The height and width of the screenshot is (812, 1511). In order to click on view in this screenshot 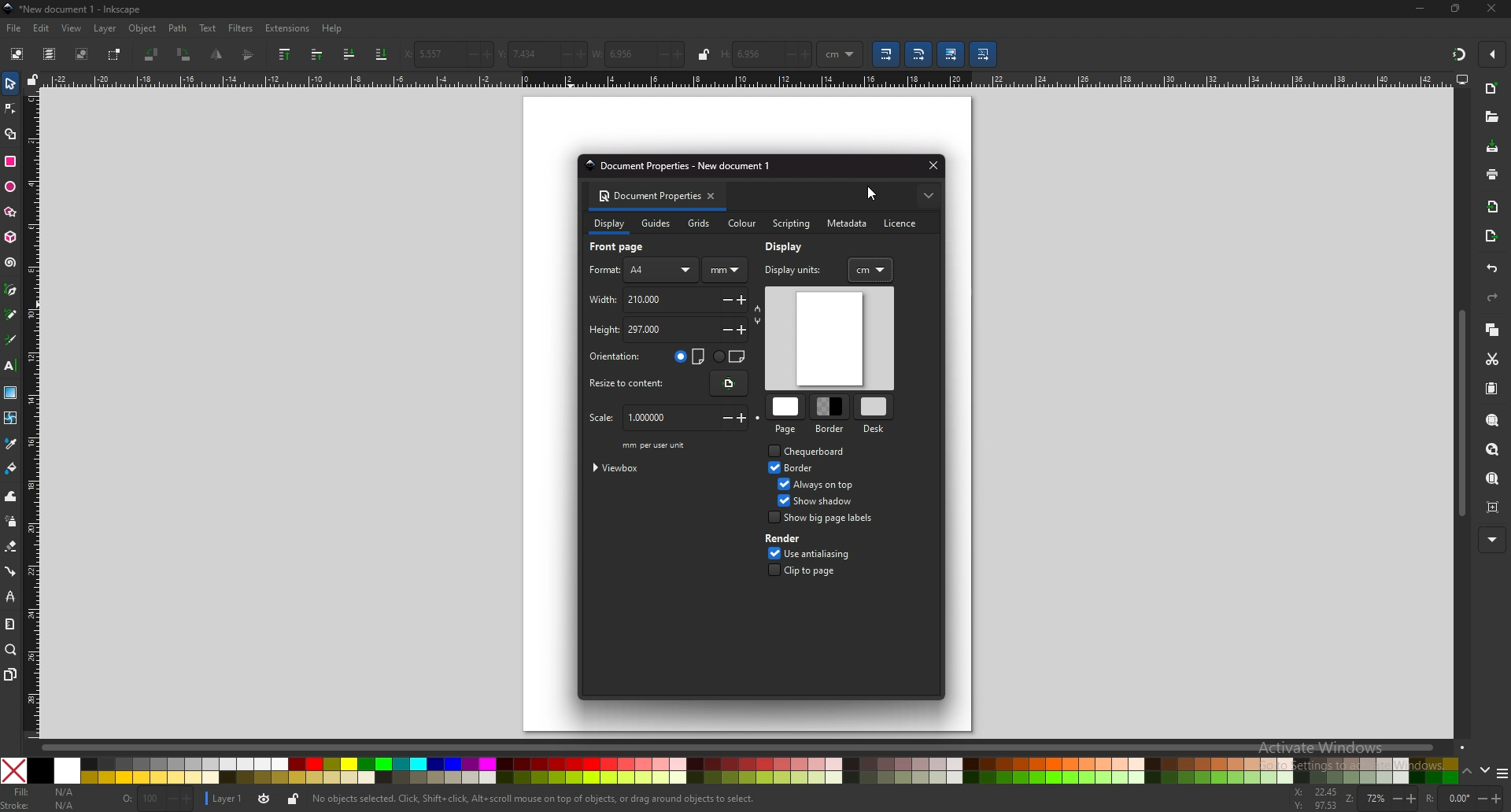, I will do `click(74, 28)`.